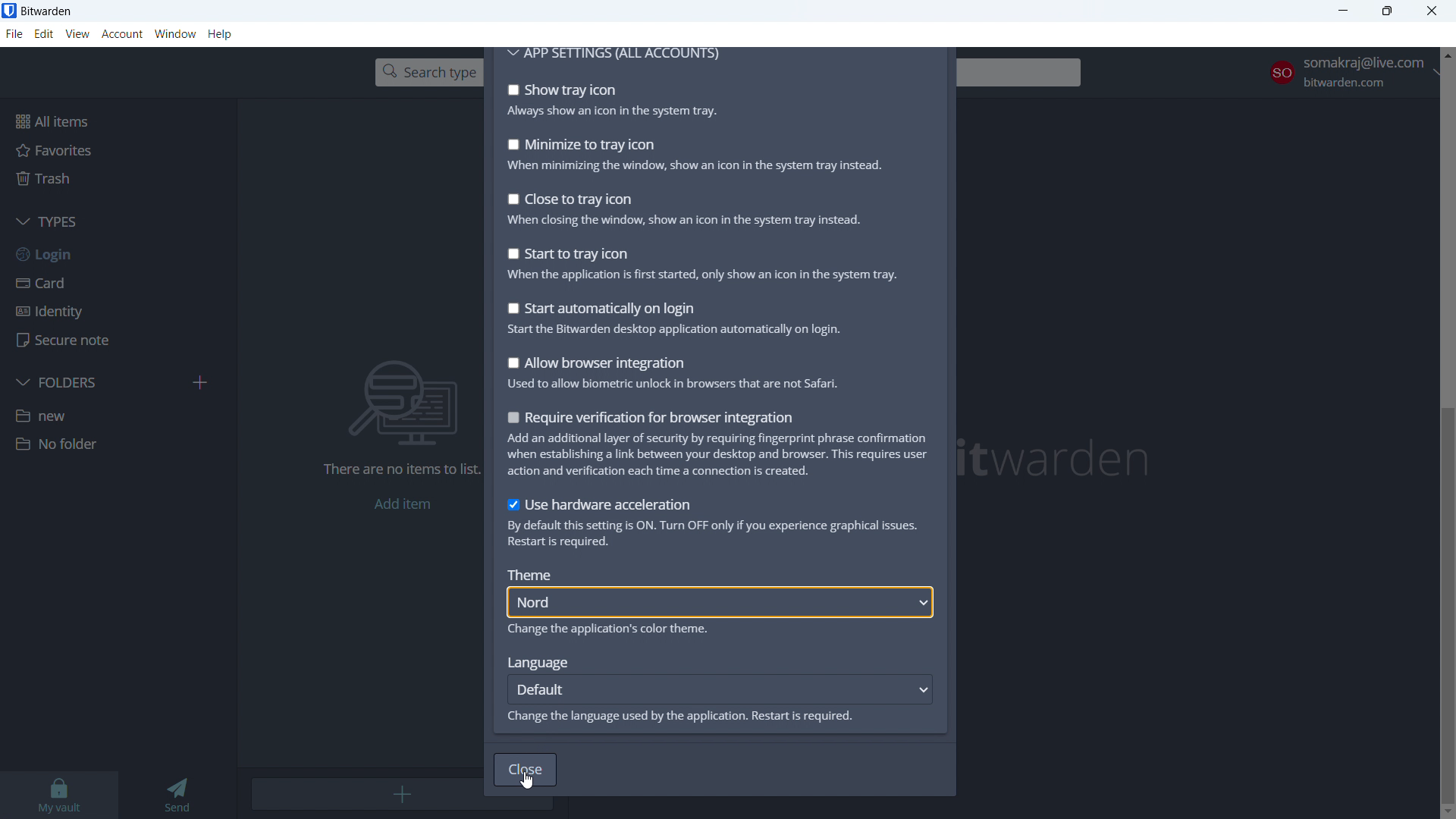 The height and width of the screenshot is (819, 1456). What do you see at coordinates (58, 795) in the screenshot?
I see `my vault` at bounding box center [58, 795].